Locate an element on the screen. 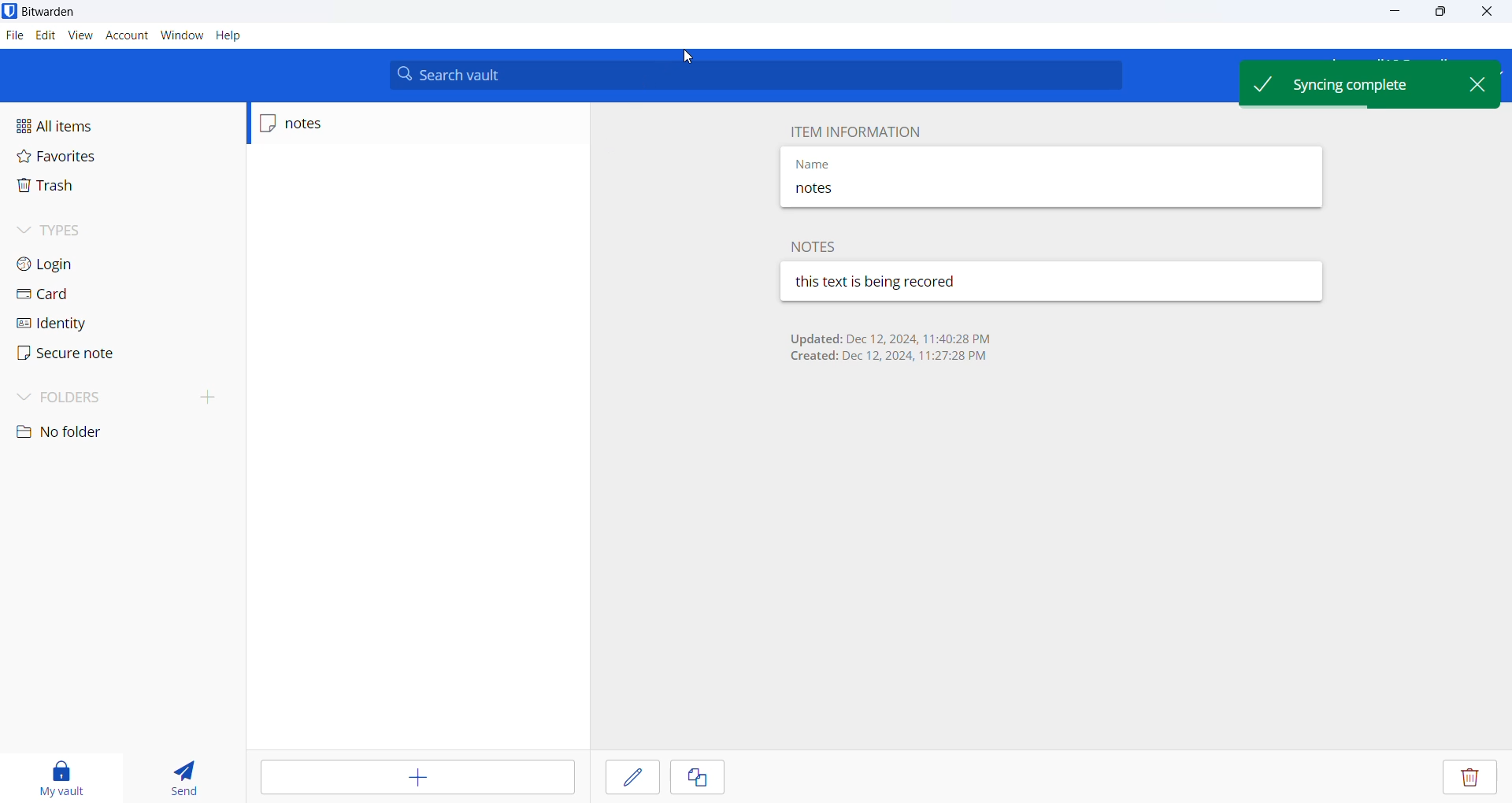  all items is located at coordinates (82, 126).